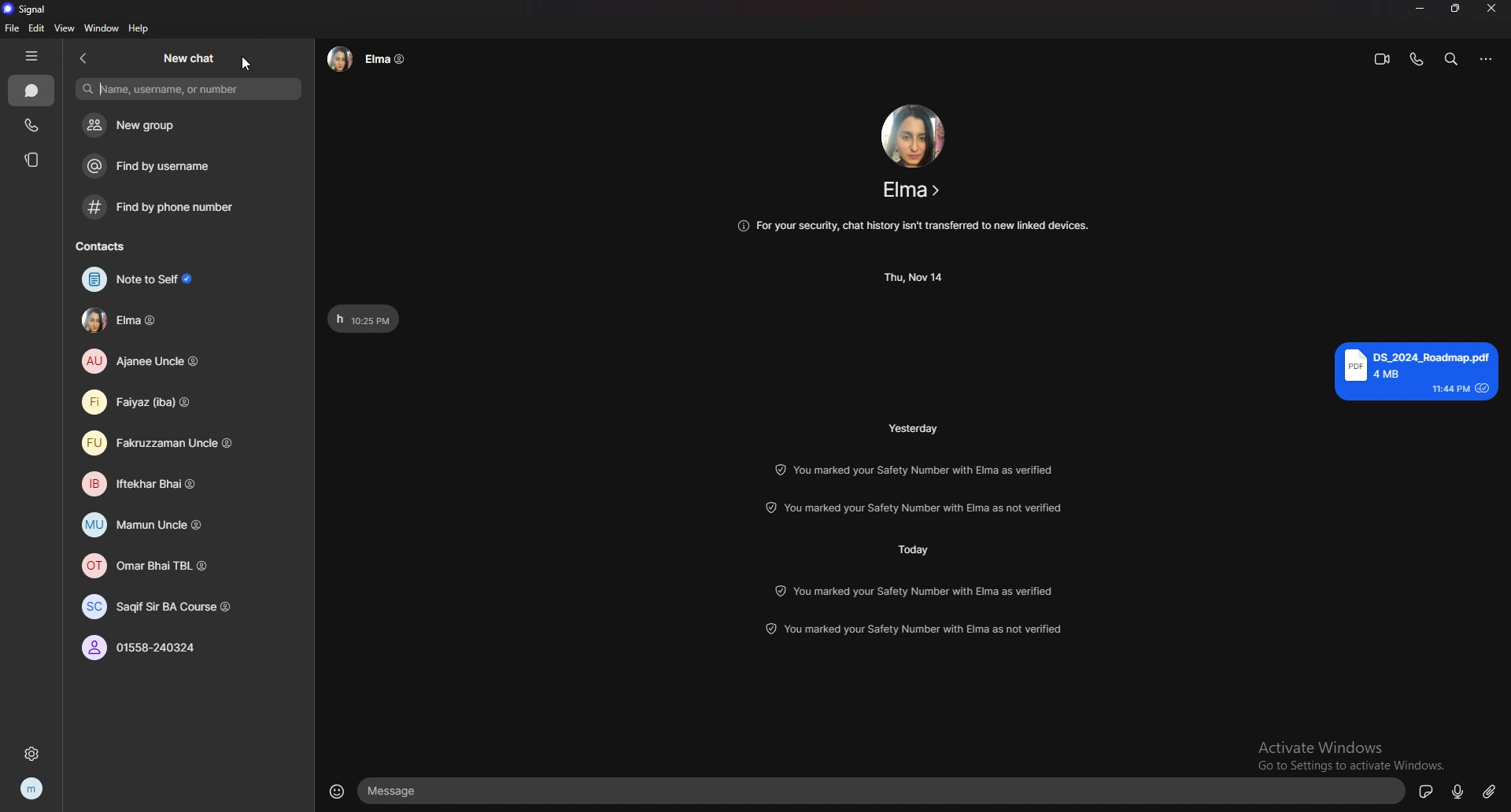 The image size is (1511, 812). Describe the element at coordinates (157, 567) in the screenshot. I see `contact` at that location.